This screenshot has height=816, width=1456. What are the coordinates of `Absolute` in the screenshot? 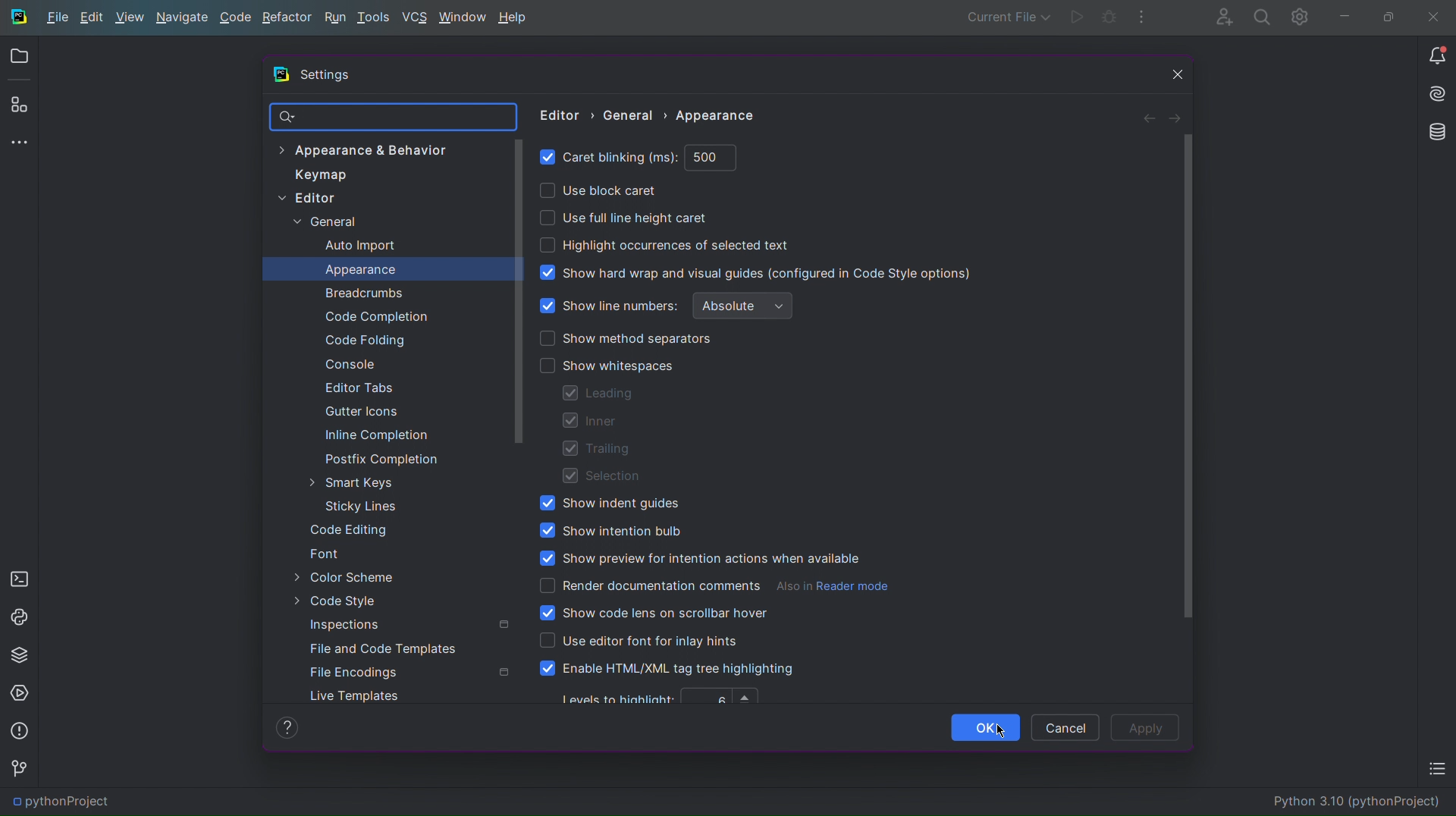 It's located at (743, 306).